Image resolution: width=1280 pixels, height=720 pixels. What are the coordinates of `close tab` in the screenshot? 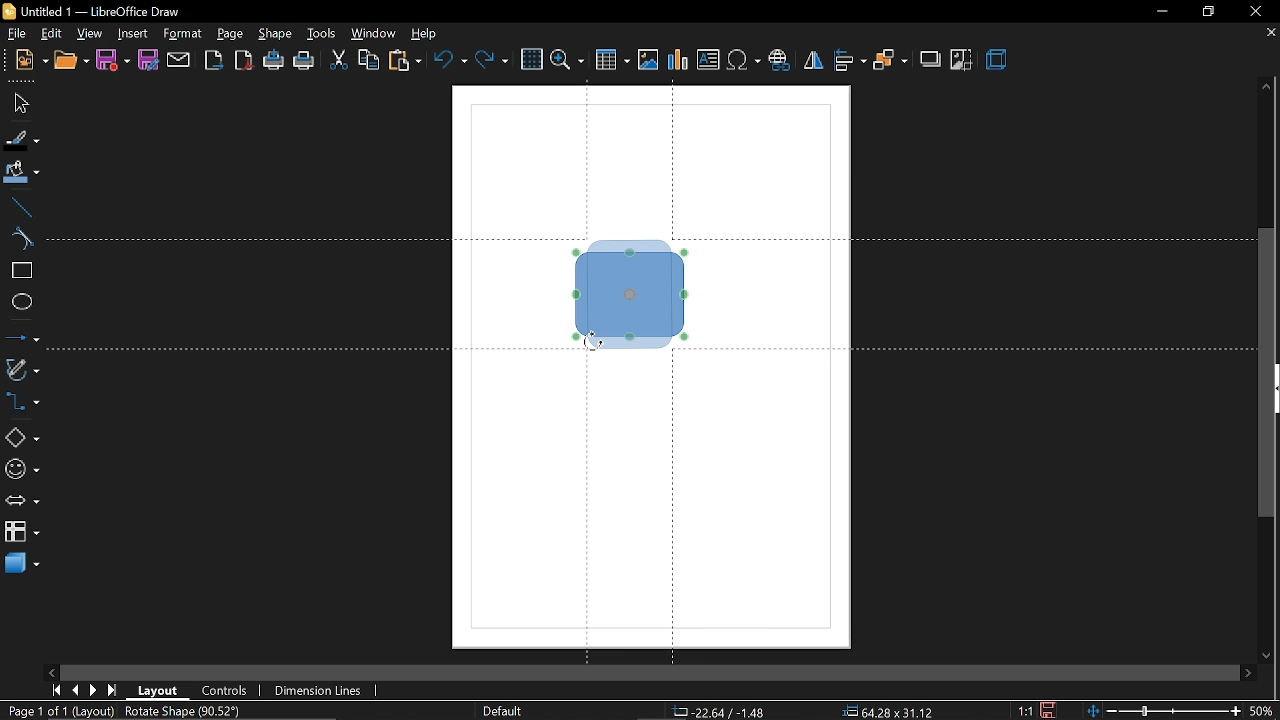 It's located at (1269, 34).